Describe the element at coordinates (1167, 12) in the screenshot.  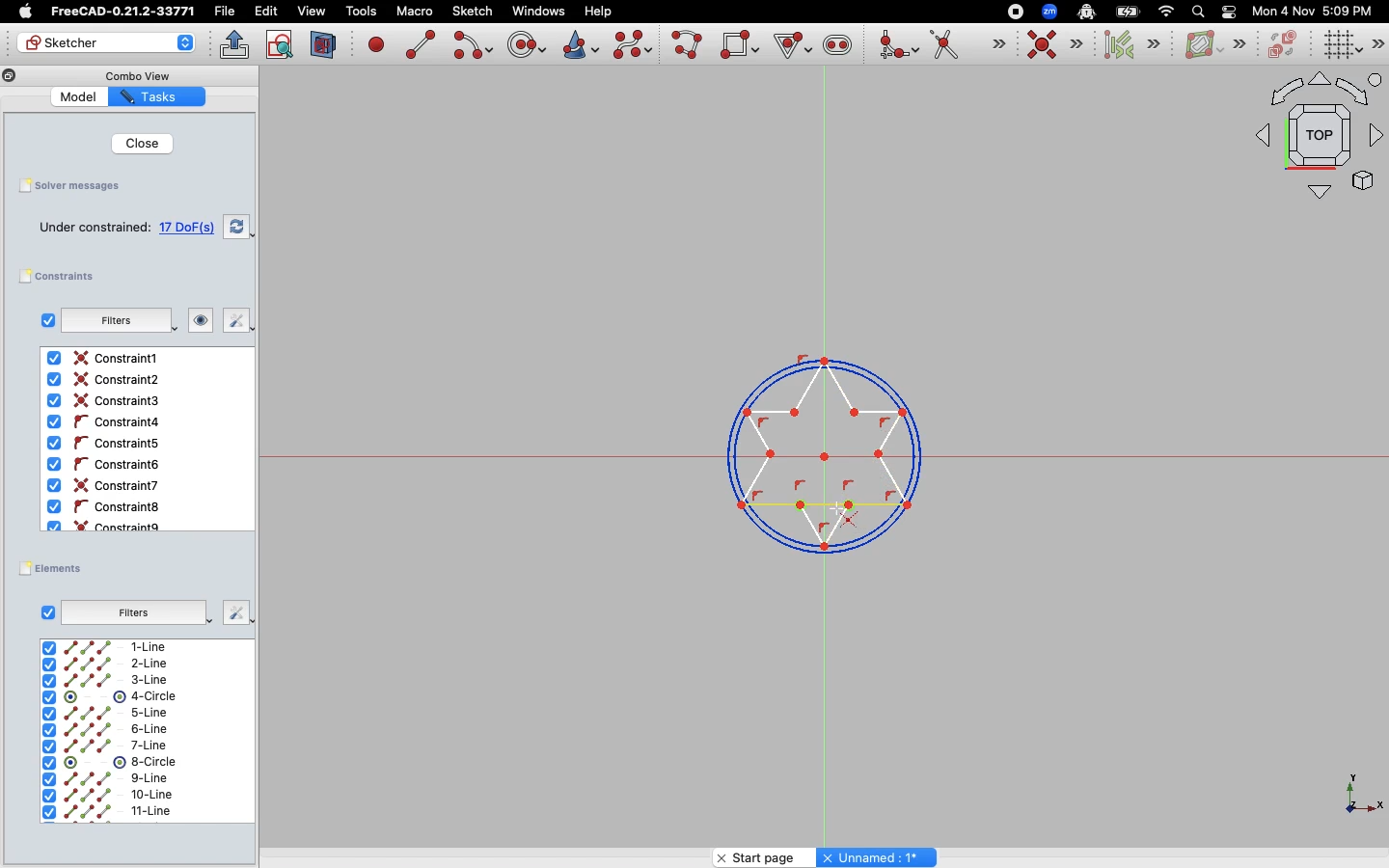
I see `Network` at that location.